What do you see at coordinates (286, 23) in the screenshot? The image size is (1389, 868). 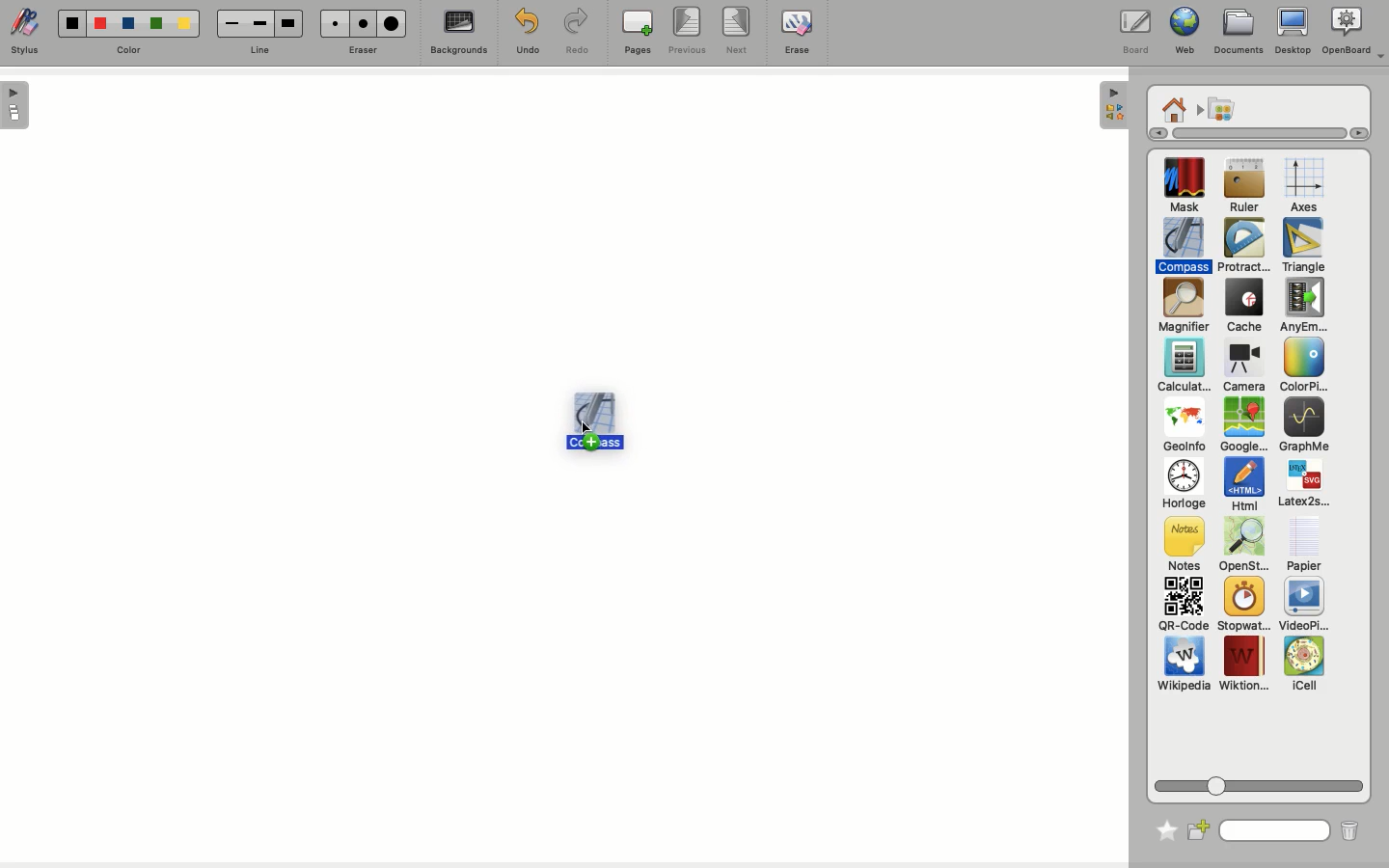 I see `Line3` at bounding box center [286, 23].